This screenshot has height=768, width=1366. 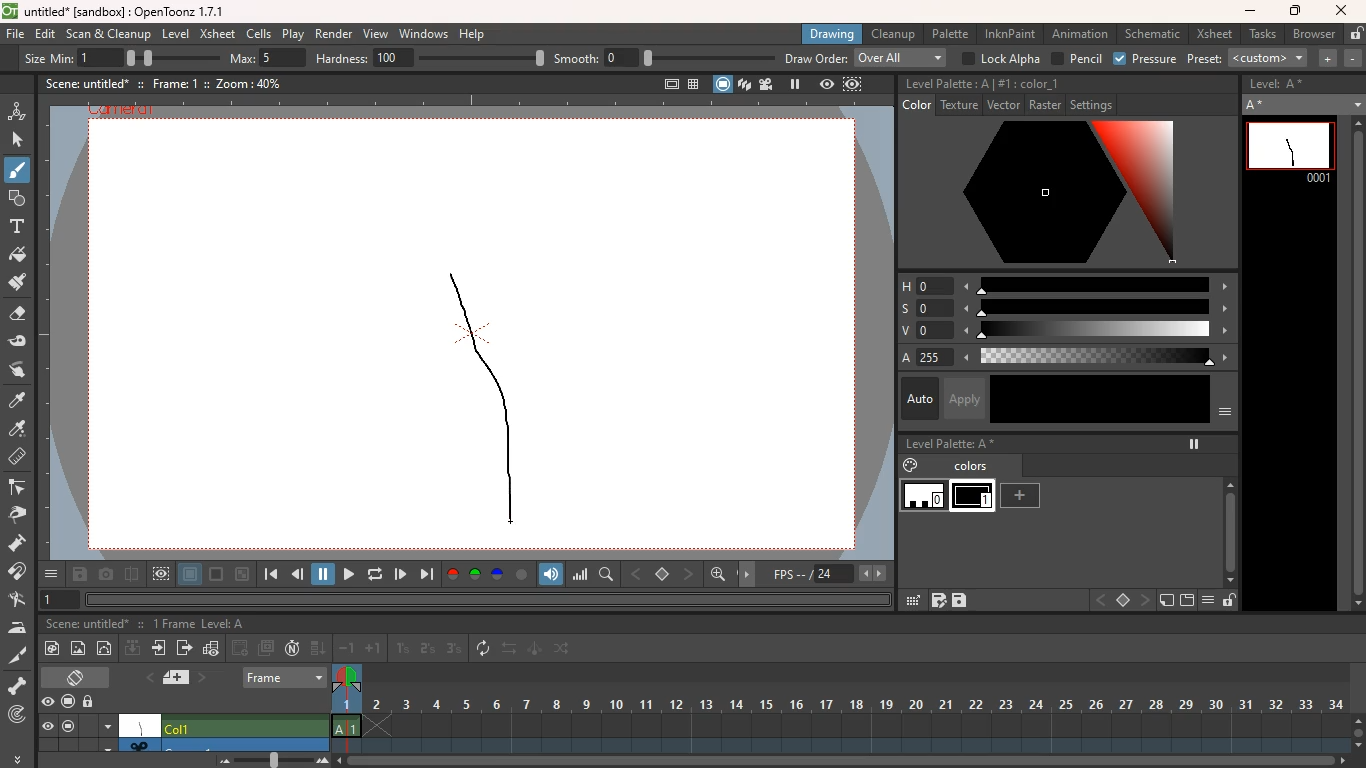 What do you see at coordinates (1010, 34) in the screenshot?
I see `inknpaint` at bounding box center [1010, 34].